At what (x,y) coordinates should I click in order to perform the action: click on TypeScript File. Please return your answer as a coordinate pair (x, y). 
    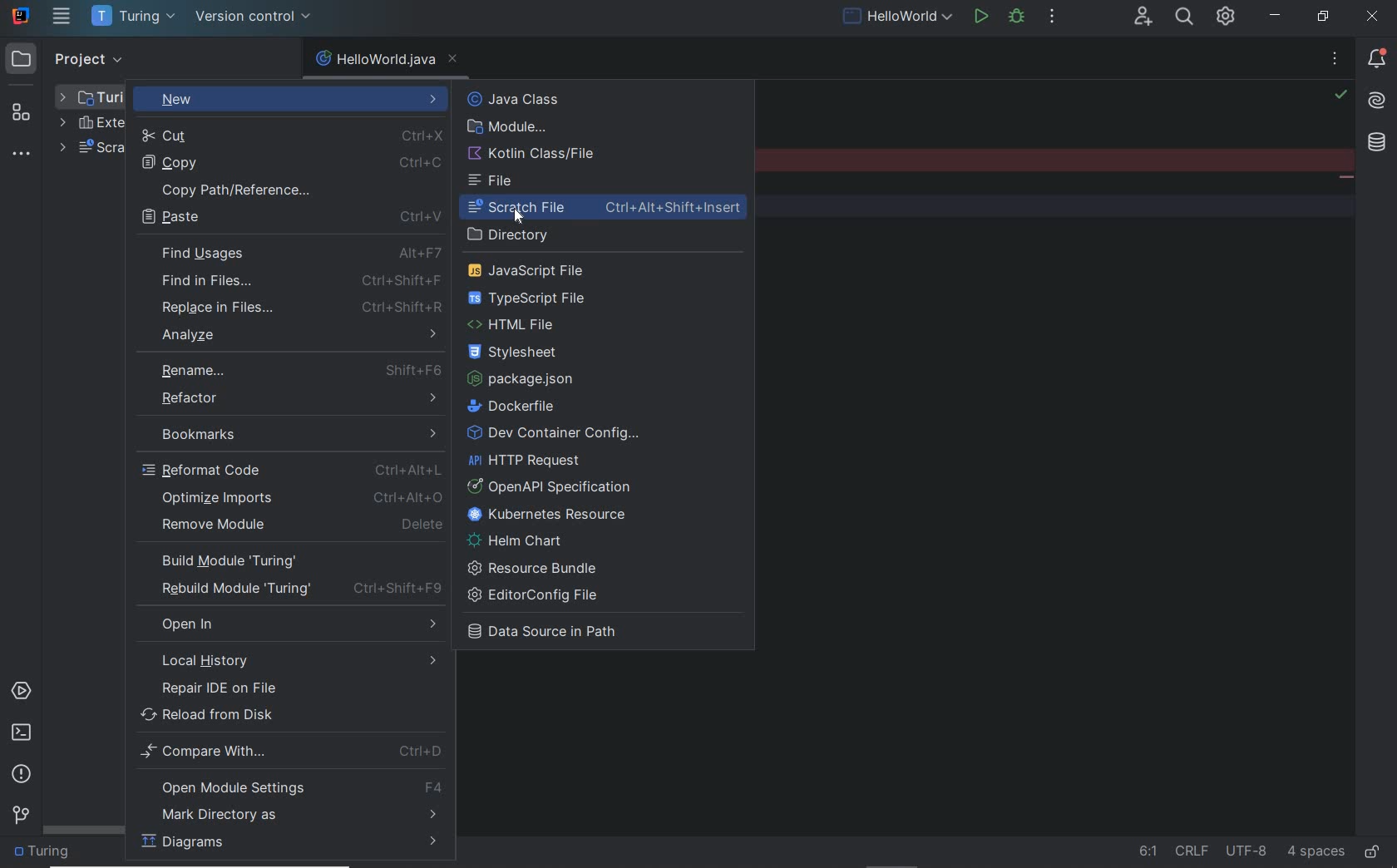
    Looking at the image, I should click on (535, 298).